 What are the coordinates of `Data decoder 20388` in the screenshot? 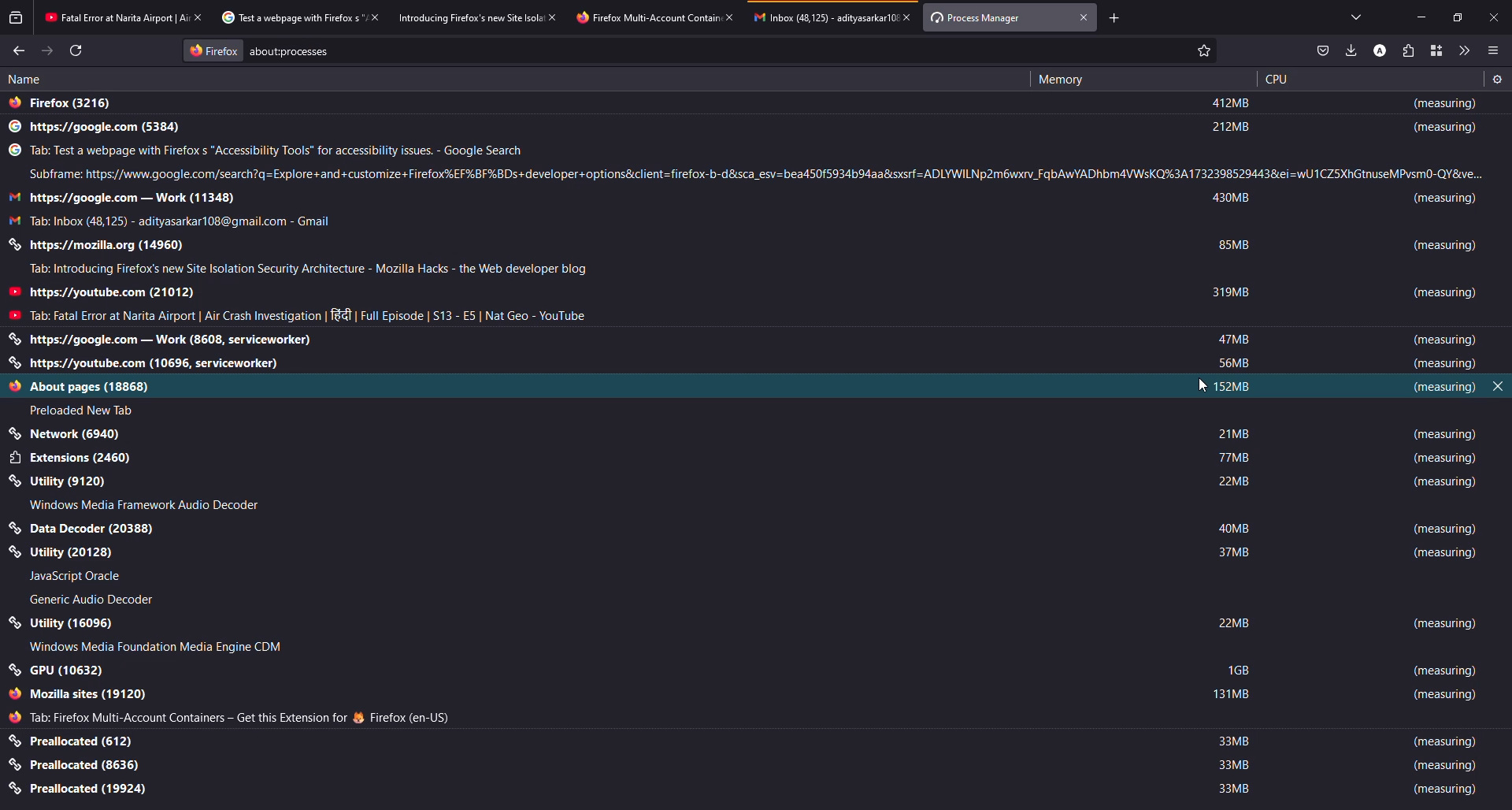 It's located at (79, 530).